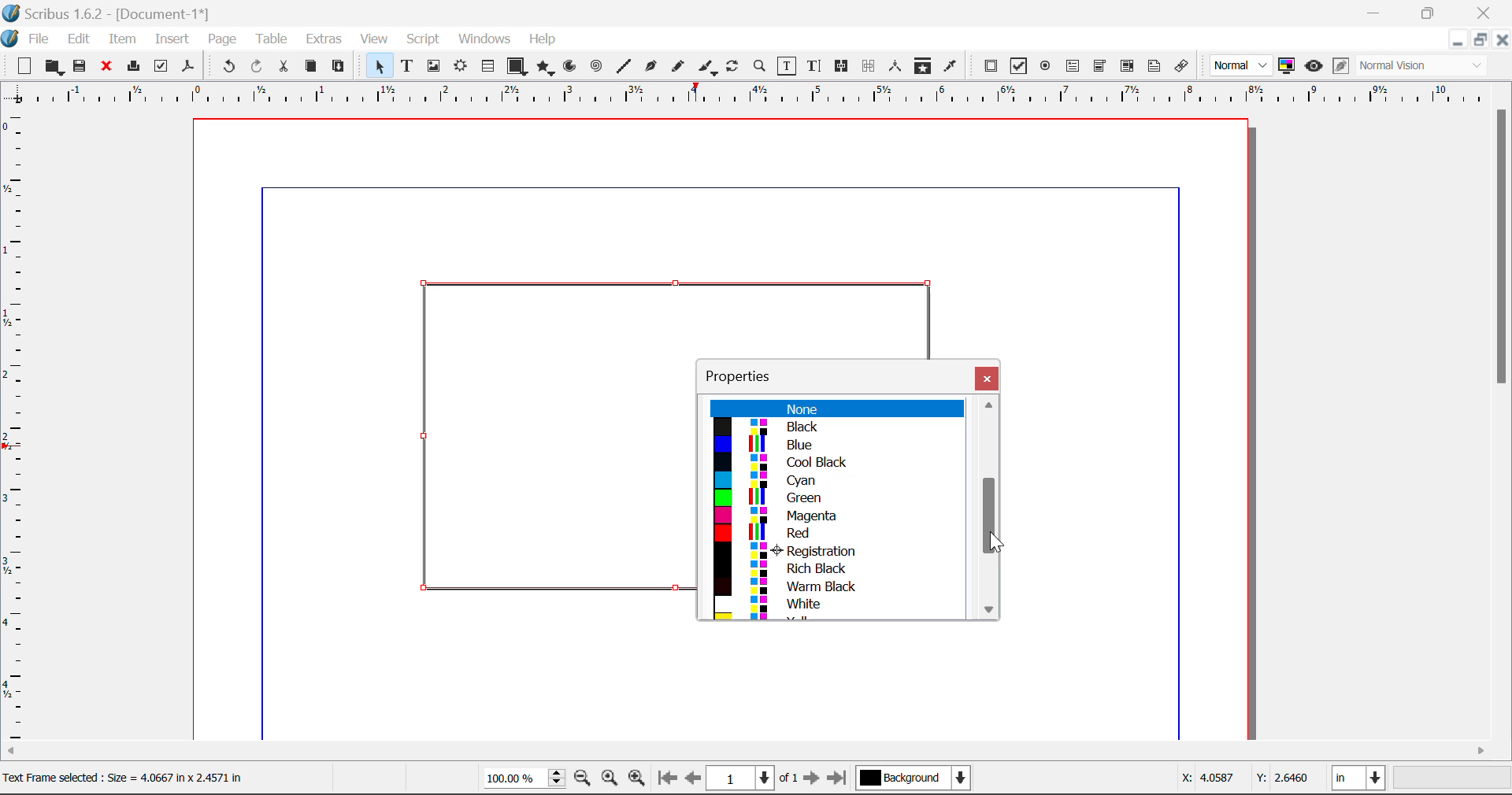  Describe the element at coordinates (123, 776) in the screenshot. I see `Text Frame selected: Size= 4.0667 in x 2.4571 in` at that location.